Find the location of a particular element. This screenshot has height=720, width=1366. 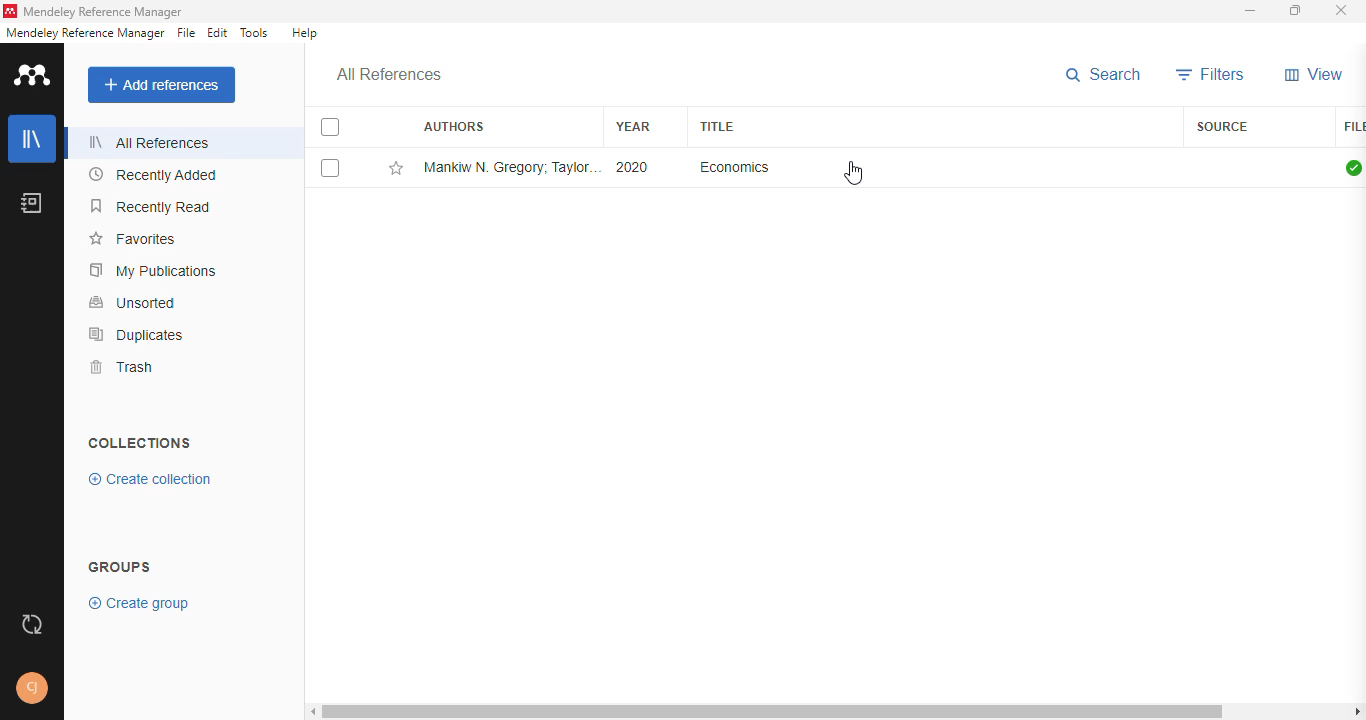

trash is located at coordinates (123, 366).